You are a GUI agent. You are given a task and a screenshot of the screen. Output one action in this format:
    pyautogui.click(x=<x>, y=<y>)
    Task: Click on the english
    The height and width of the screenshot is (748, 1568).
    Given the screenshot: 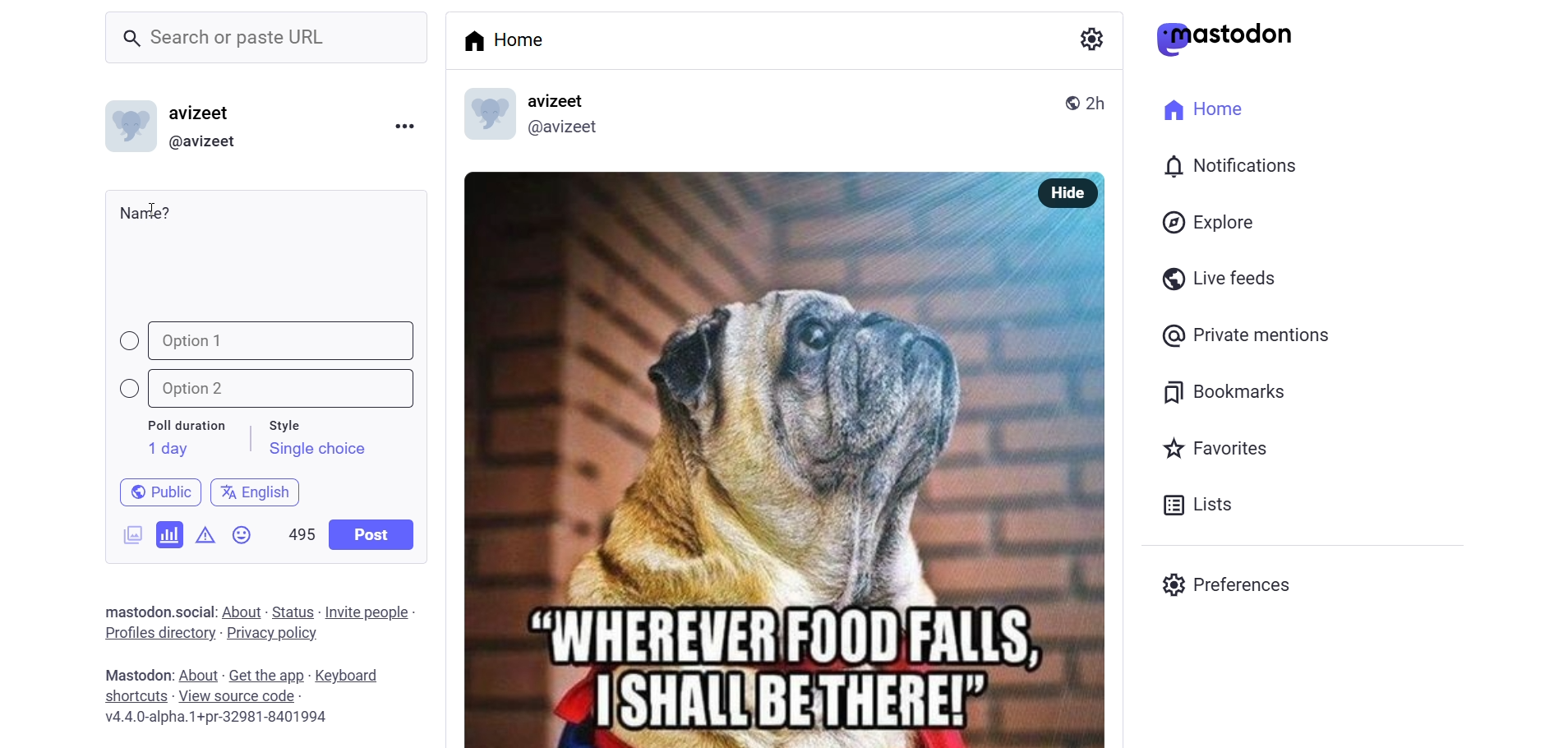 What is the action you would take?
    pyautogui.click(x=256, y=489)
    